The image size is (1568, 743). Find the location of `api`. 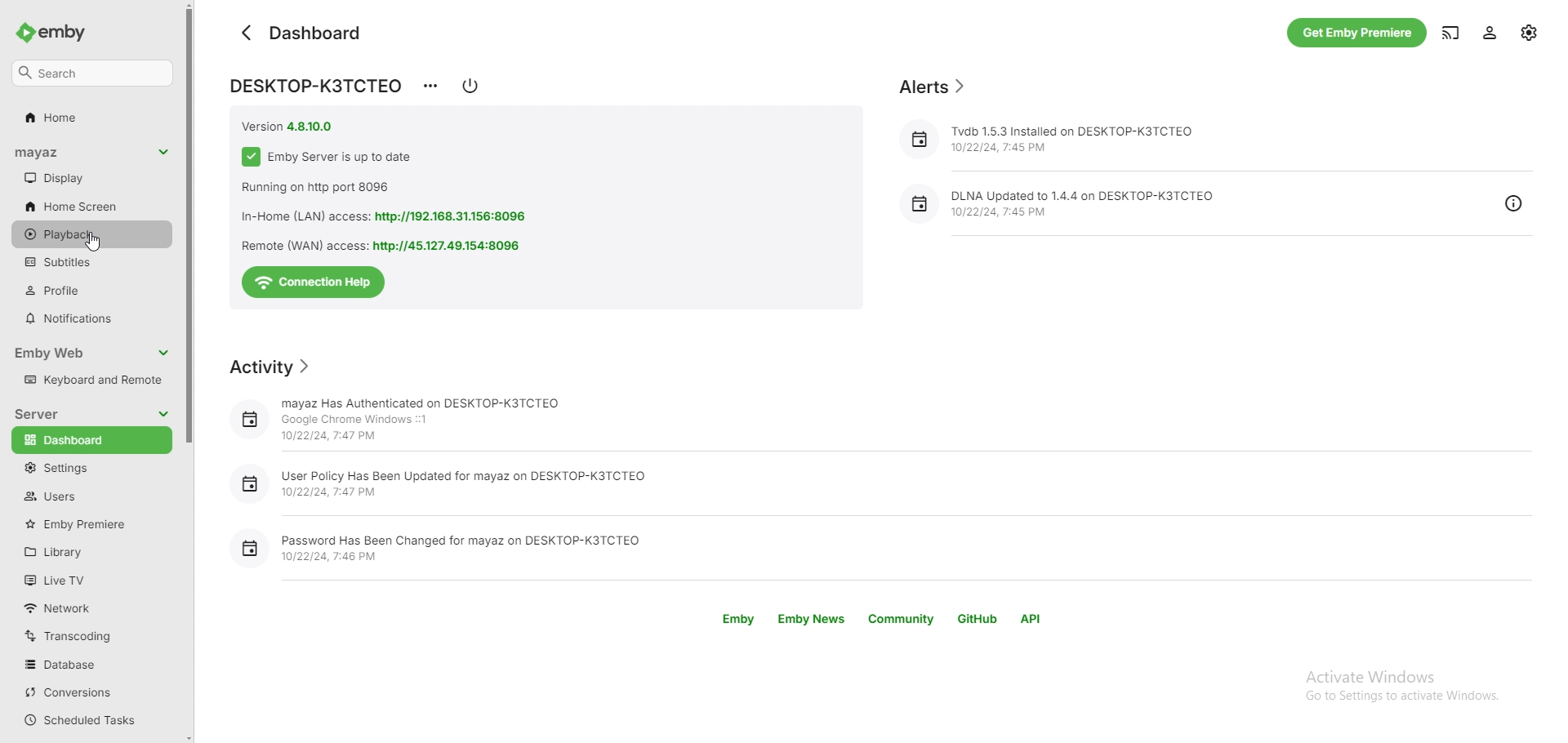

api is located at coordinates (1032, 620).